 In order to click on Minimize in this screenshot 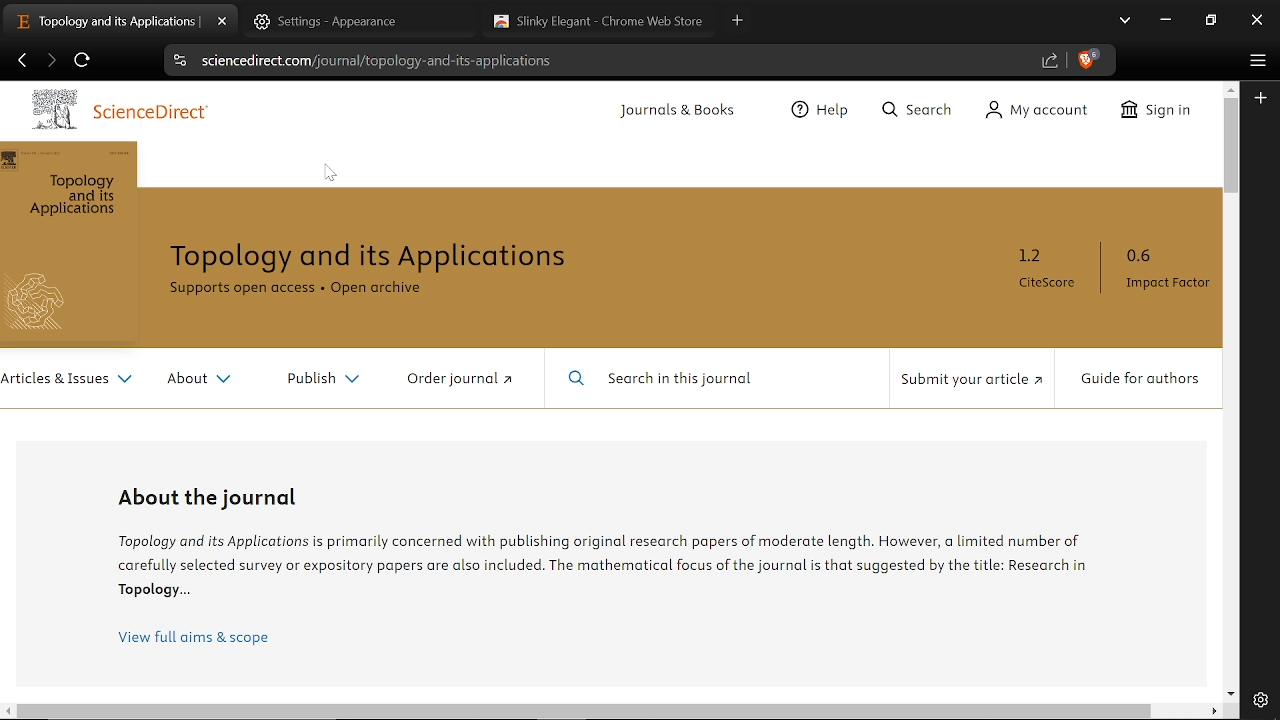, I will do `click(1166, 22)`.